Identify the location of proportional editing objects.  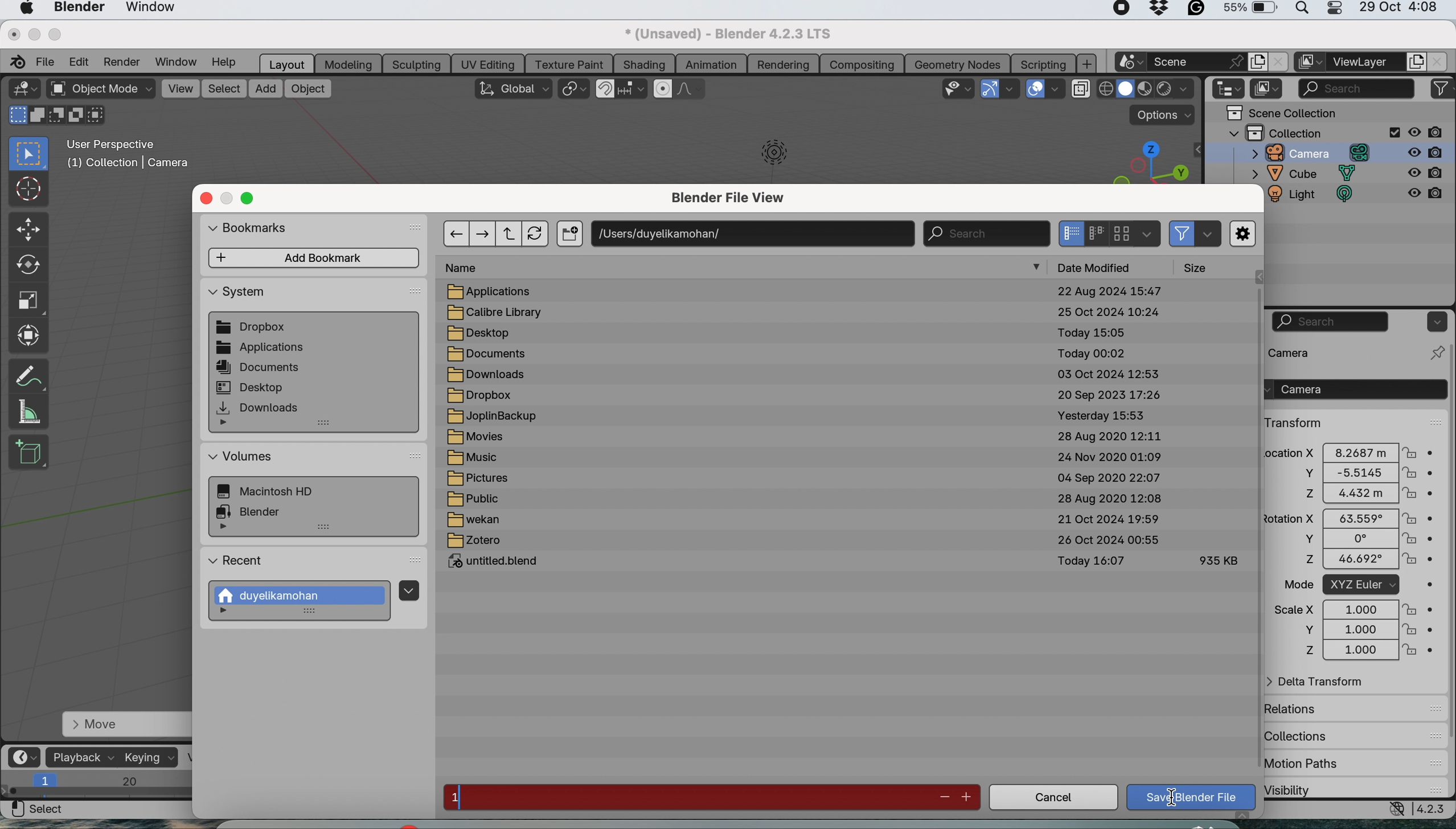
(664, 89).